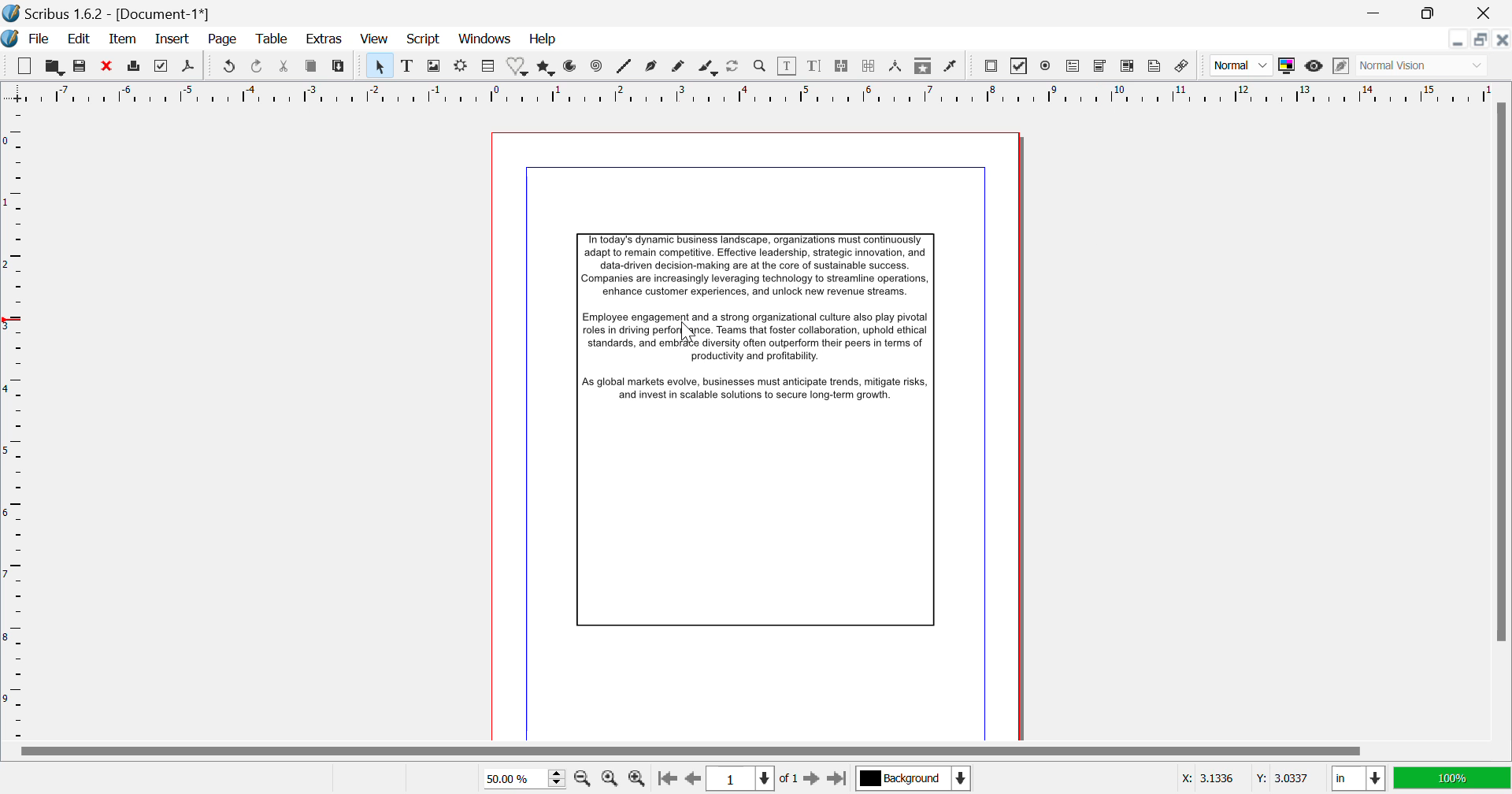 The height and width of the screenshot is (794, 1512). What do you see at coordinates (898, 68) in the screenshot?
I see `Measurements` at bounding box center [898, 68].